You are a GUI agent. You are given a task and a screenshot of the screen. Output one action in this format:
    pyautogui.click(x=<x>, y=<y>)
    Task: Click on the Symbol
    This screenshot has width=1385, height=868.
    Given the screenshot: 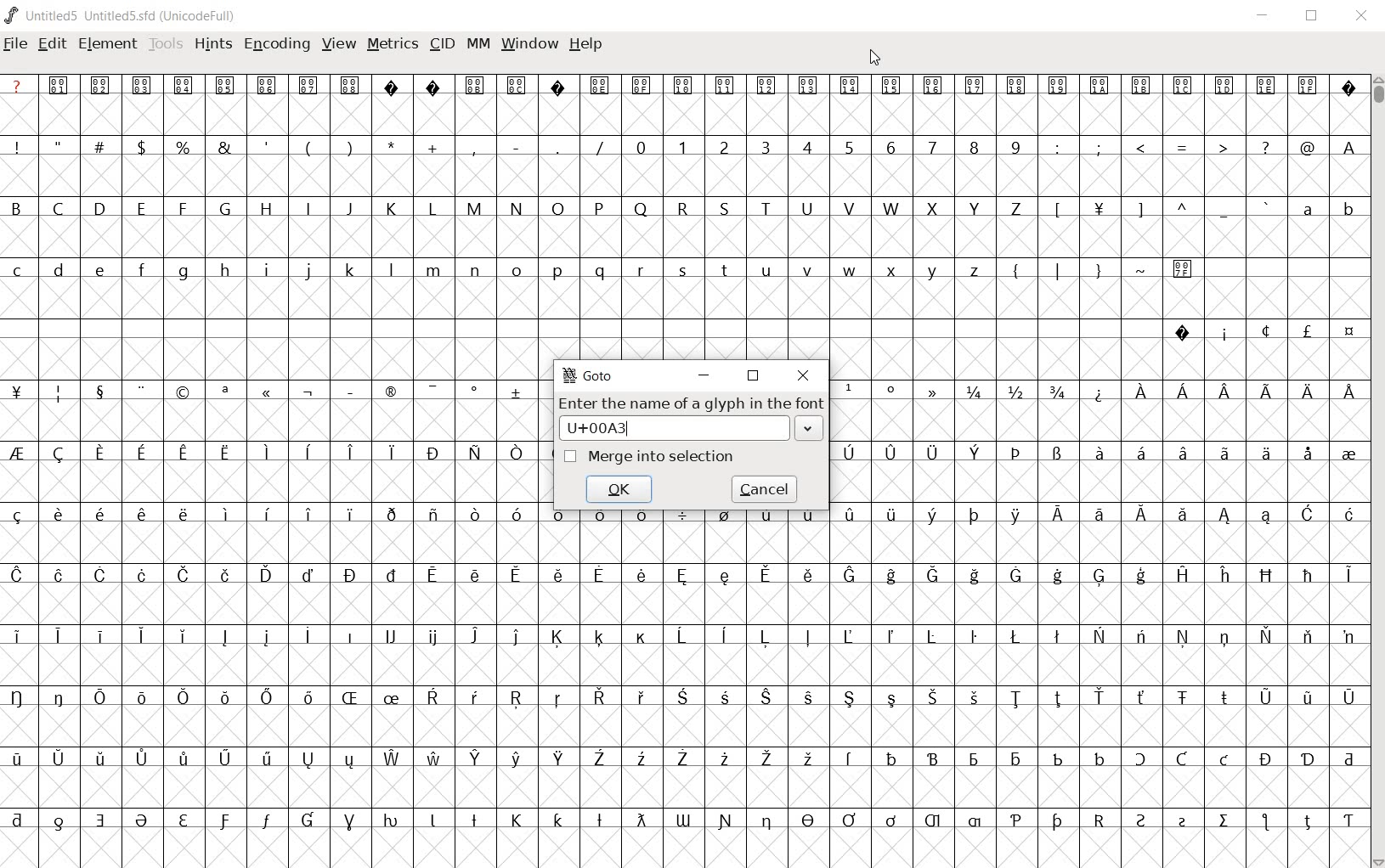 What is the action you would take?
    pyautogui.click(x=142, y=577)
    